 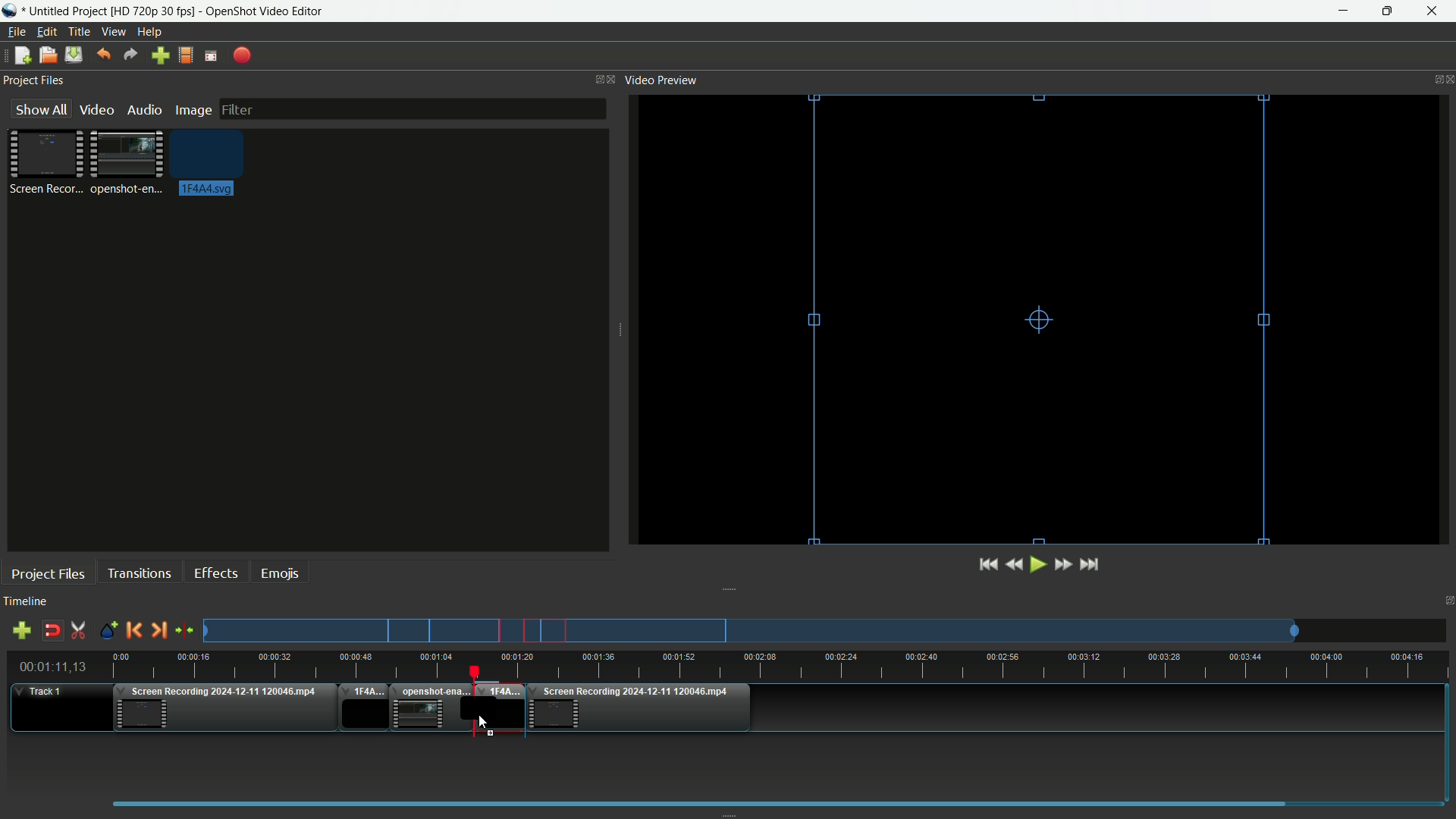 I want to click on Close timeline, so click(x=1447, y=603).